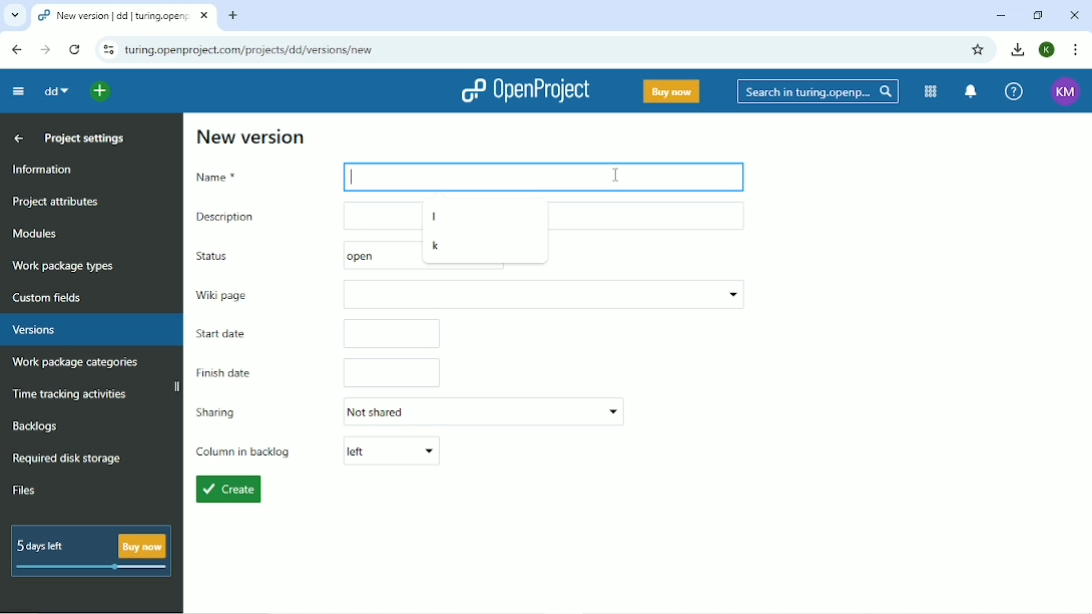  Describe the element at coordinates (250, 50) in the screenshot. I see `Site` at that location.